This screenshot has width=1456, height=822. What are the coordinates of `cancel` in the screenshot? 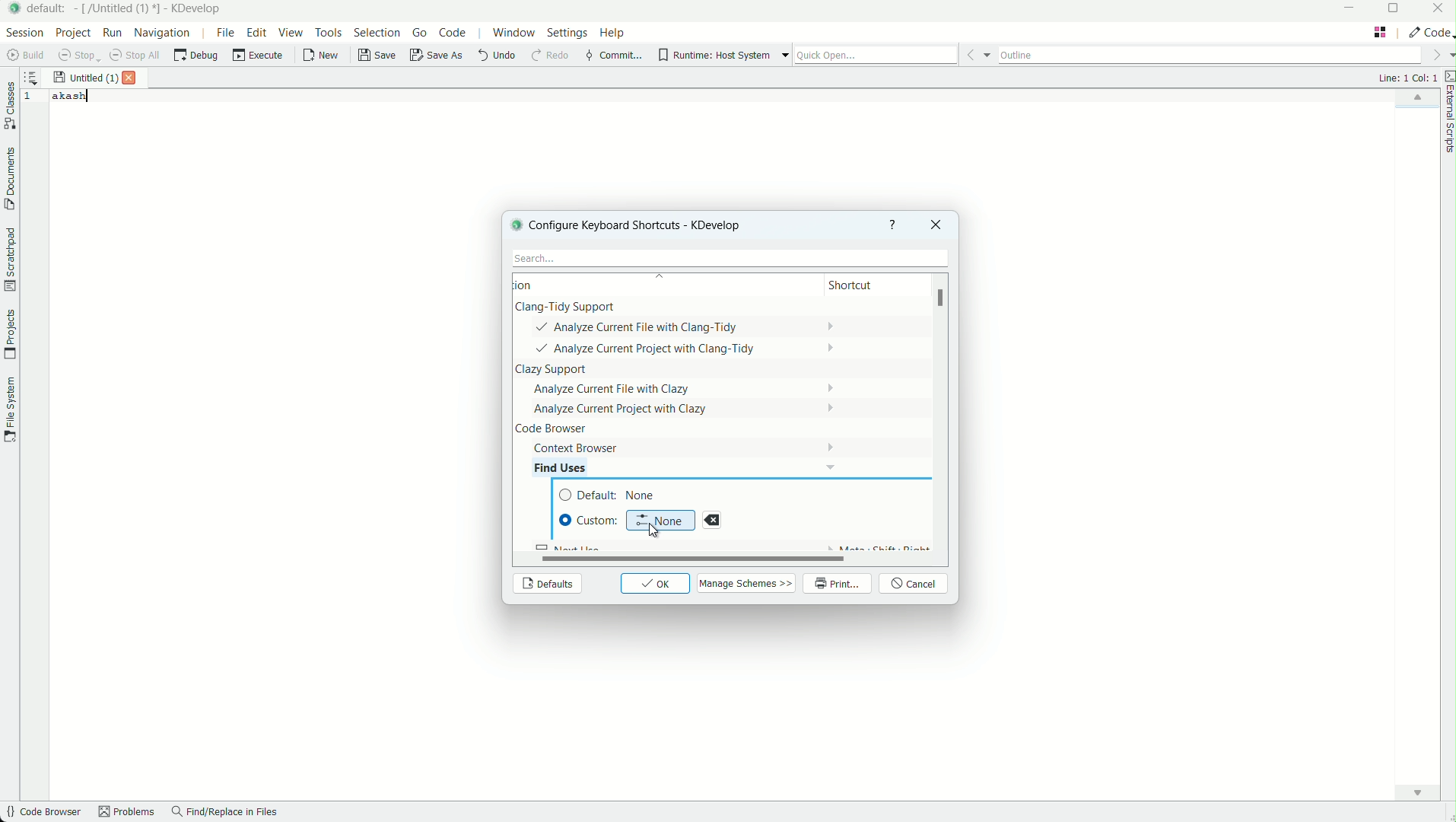 It's located at (915, 585).